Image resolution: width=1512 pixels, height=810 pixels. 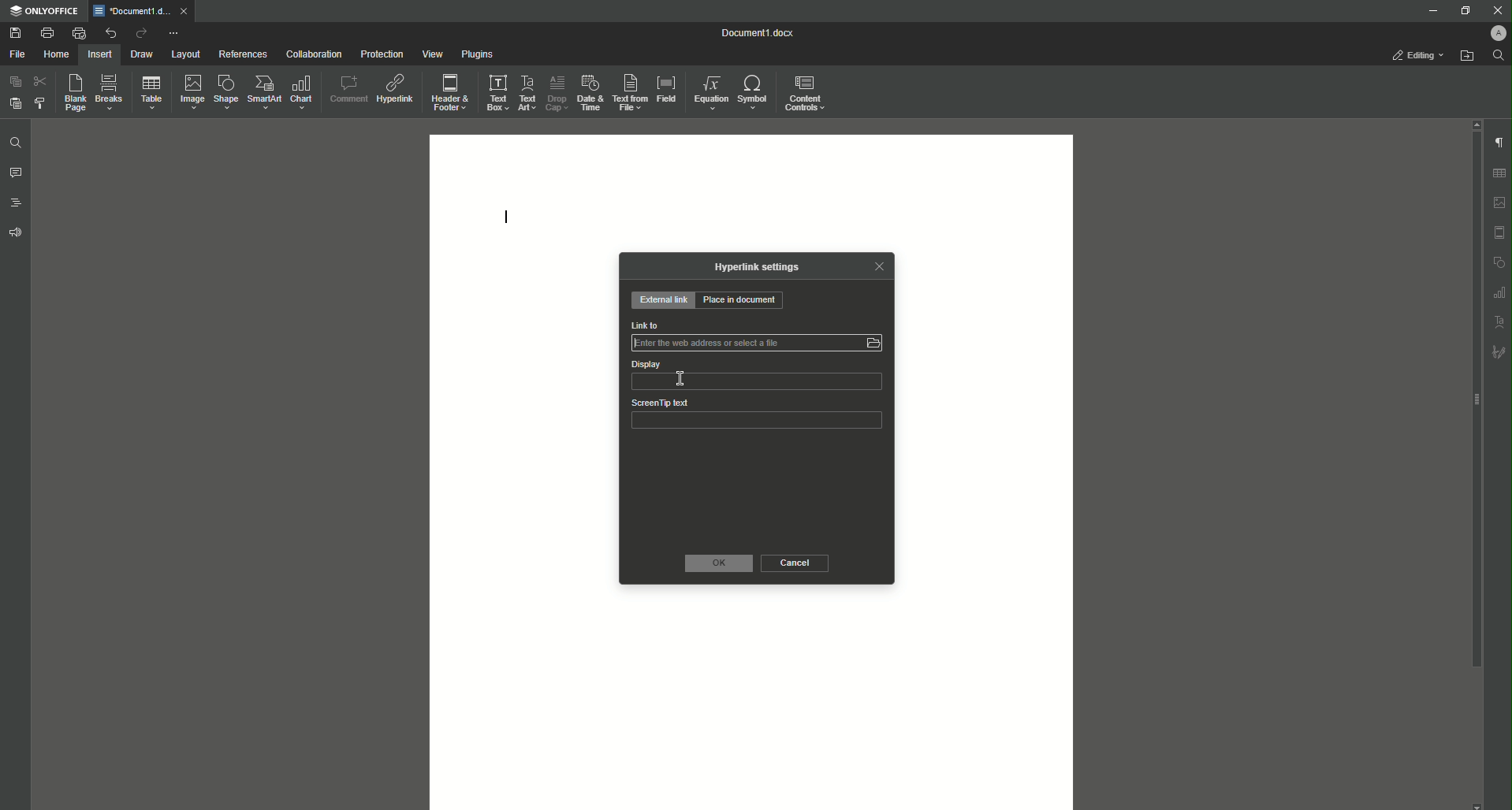 I want to click on Header & footer settings, so click(x=1501, y=233).